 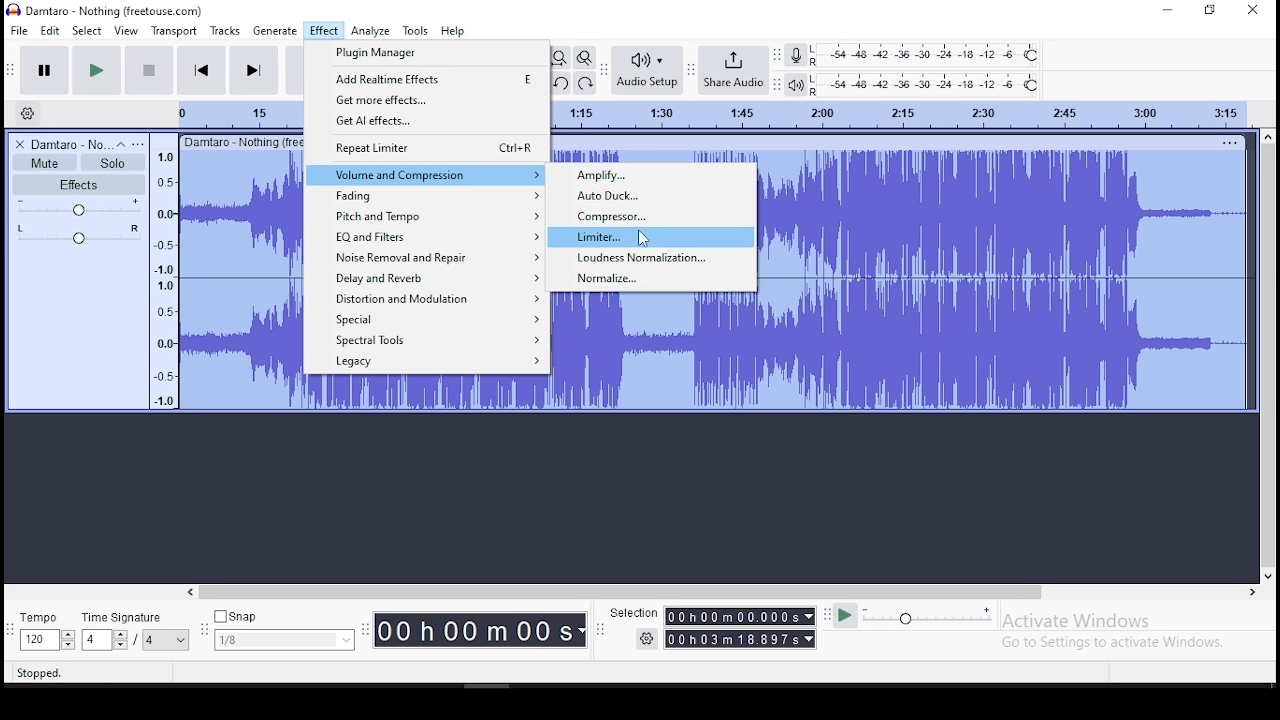 What do you see at coordinates (655, 352) in the screenshot?
I see `sound track` at bounding box center [655, 352].